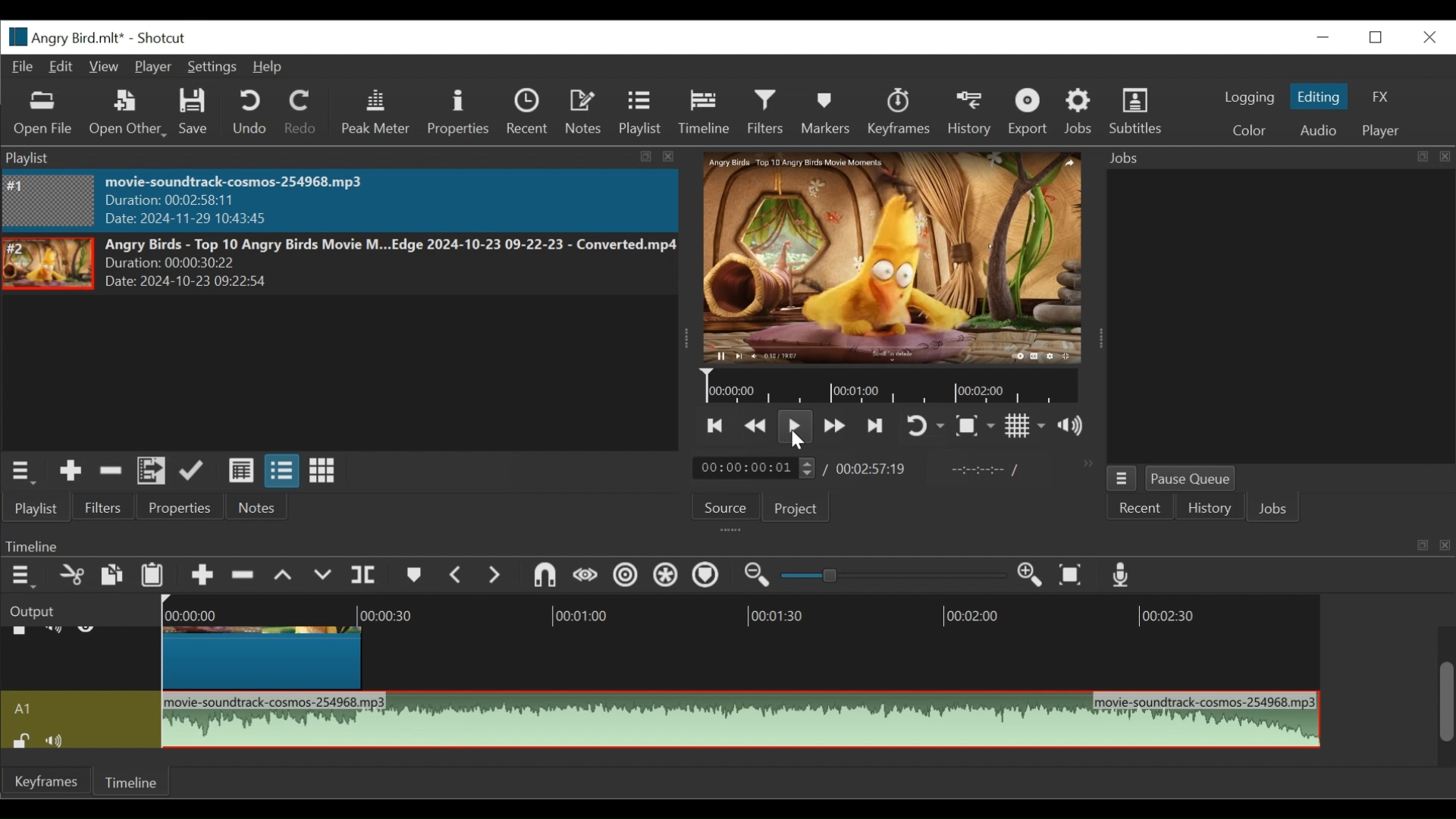  I want to click on Subtitles, so click(1141, 113).